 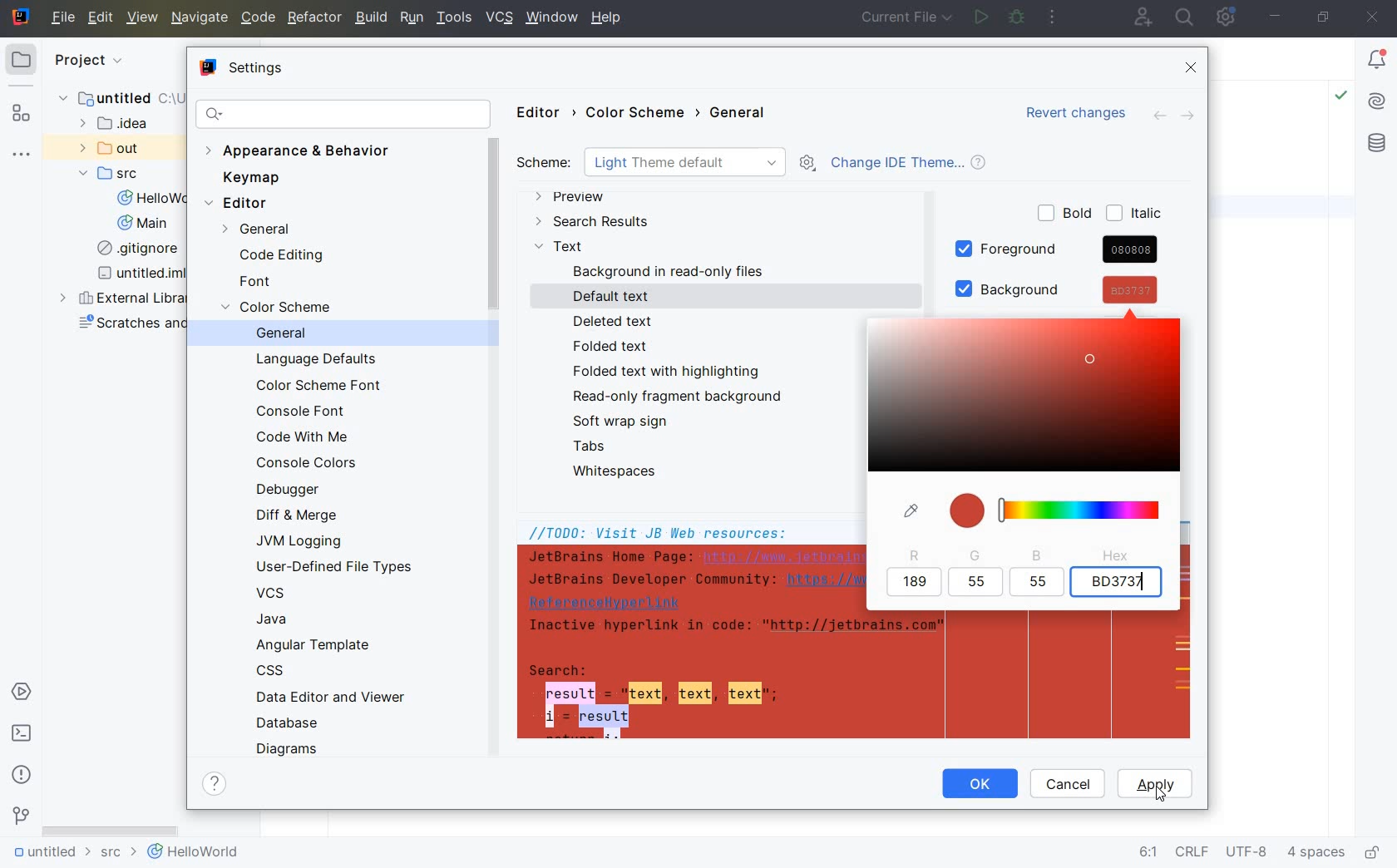 I want to click on file, so click(x=63, y=18).